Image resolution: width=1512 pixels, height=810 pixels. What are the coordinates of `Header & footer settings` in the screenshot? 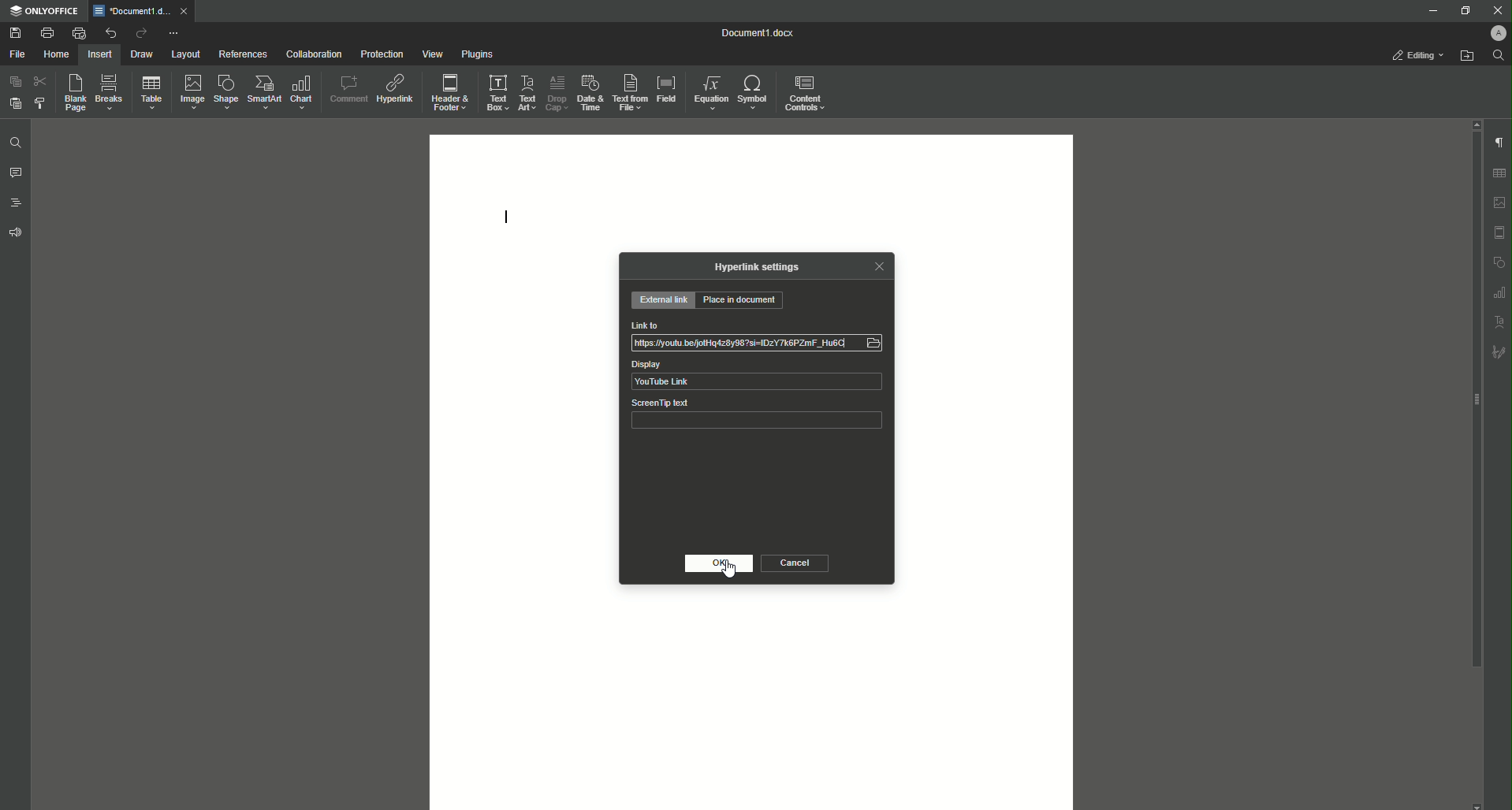 It's located at (1501, 233).